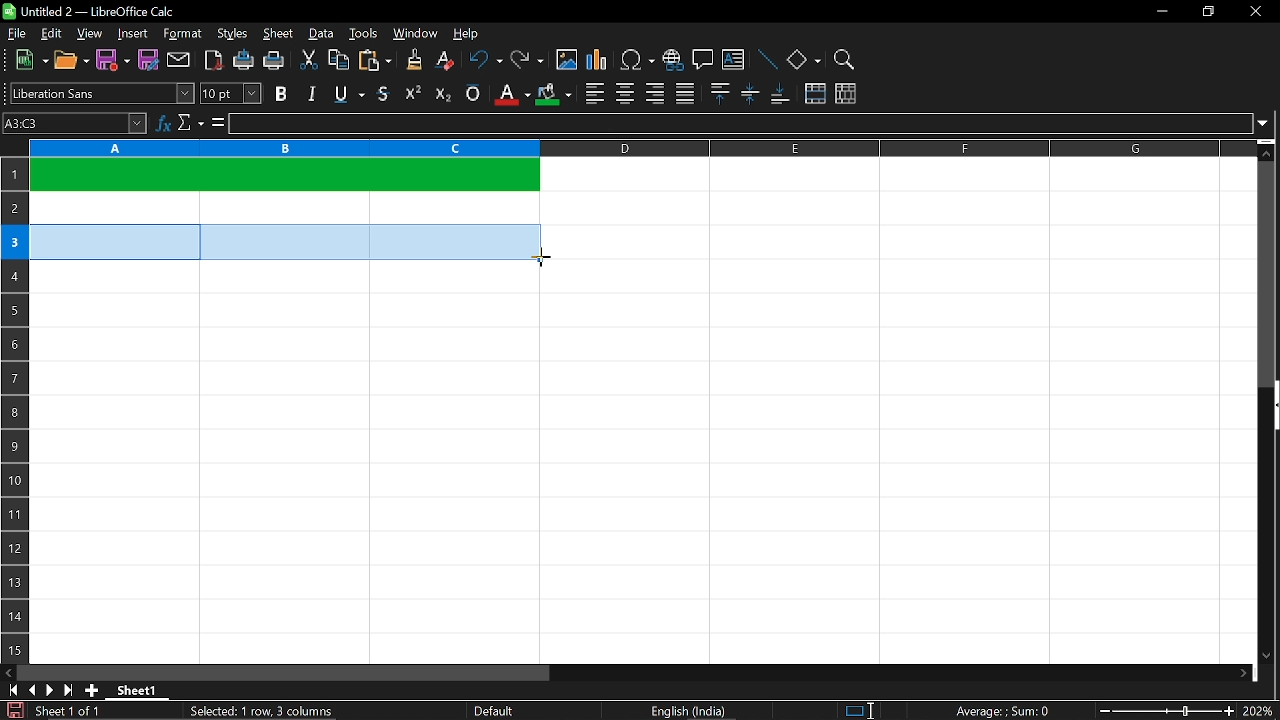 This screenshot has width=1280, height=720. I want to click on cell color, so click(553, 95).